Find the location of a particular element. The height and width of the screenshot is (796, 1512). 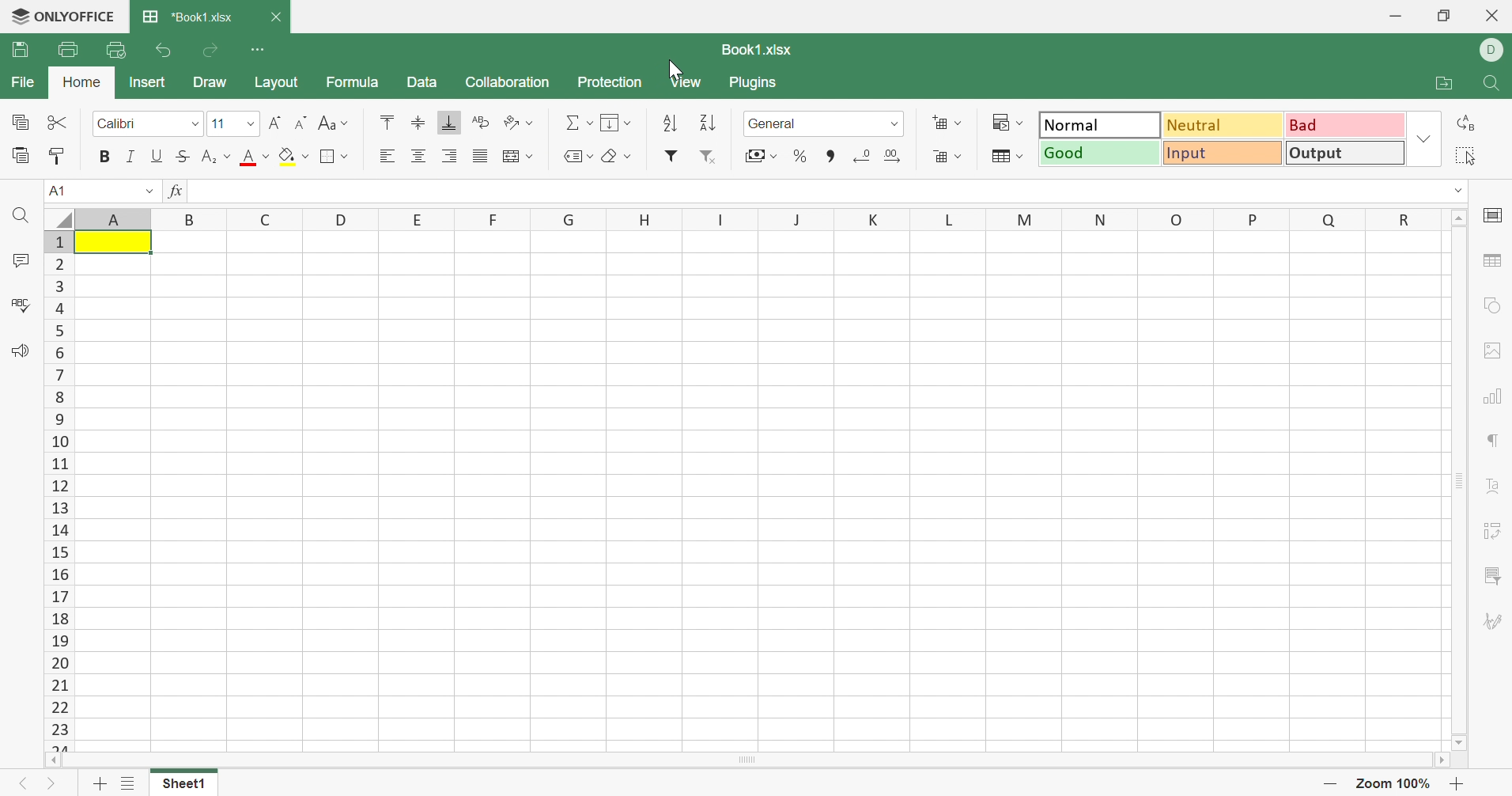

Output is located at coordinates (1348, 153).